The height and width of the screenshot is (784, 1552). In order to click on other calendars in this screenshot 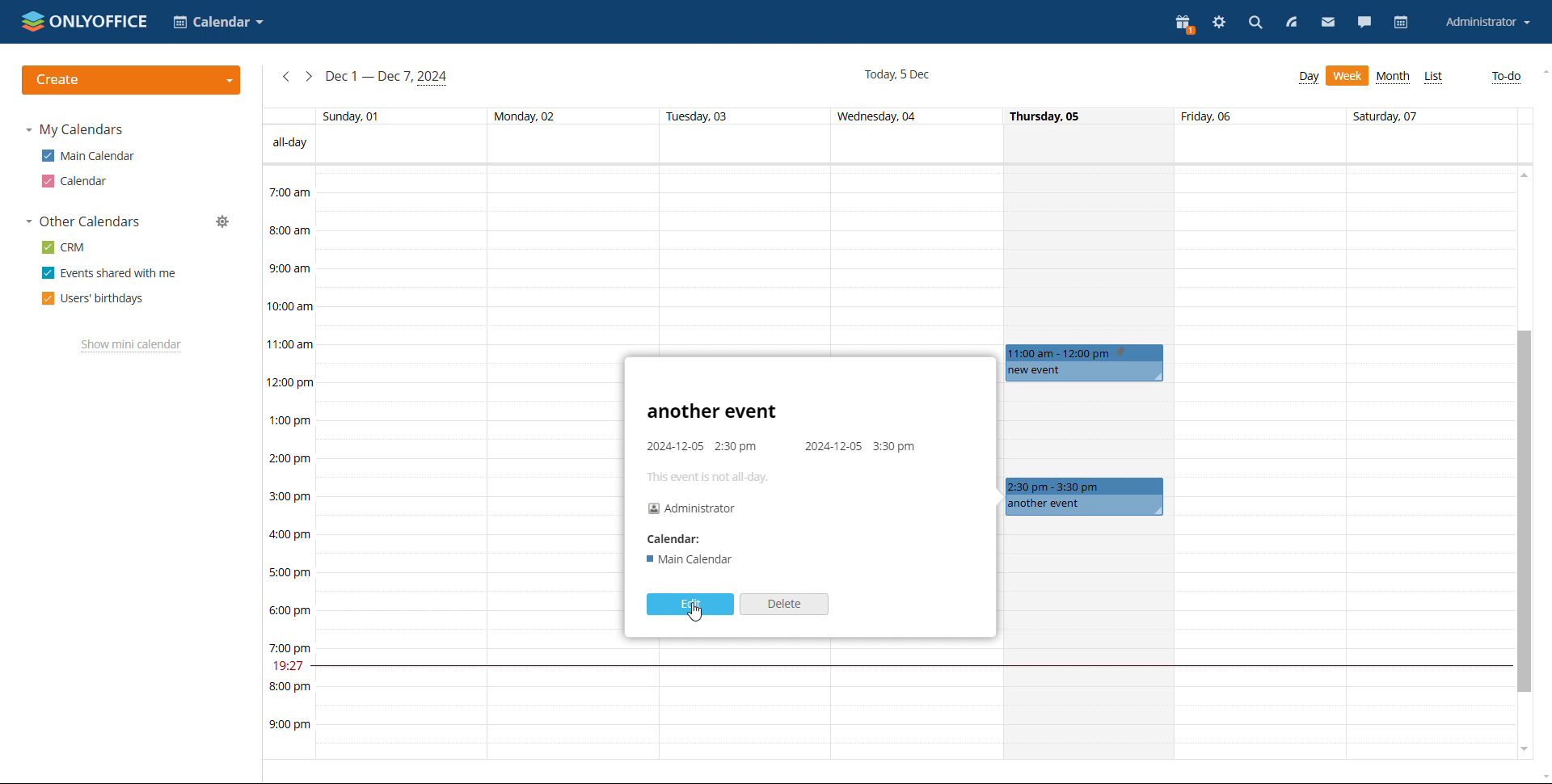, I will do `click(82, 222)`.